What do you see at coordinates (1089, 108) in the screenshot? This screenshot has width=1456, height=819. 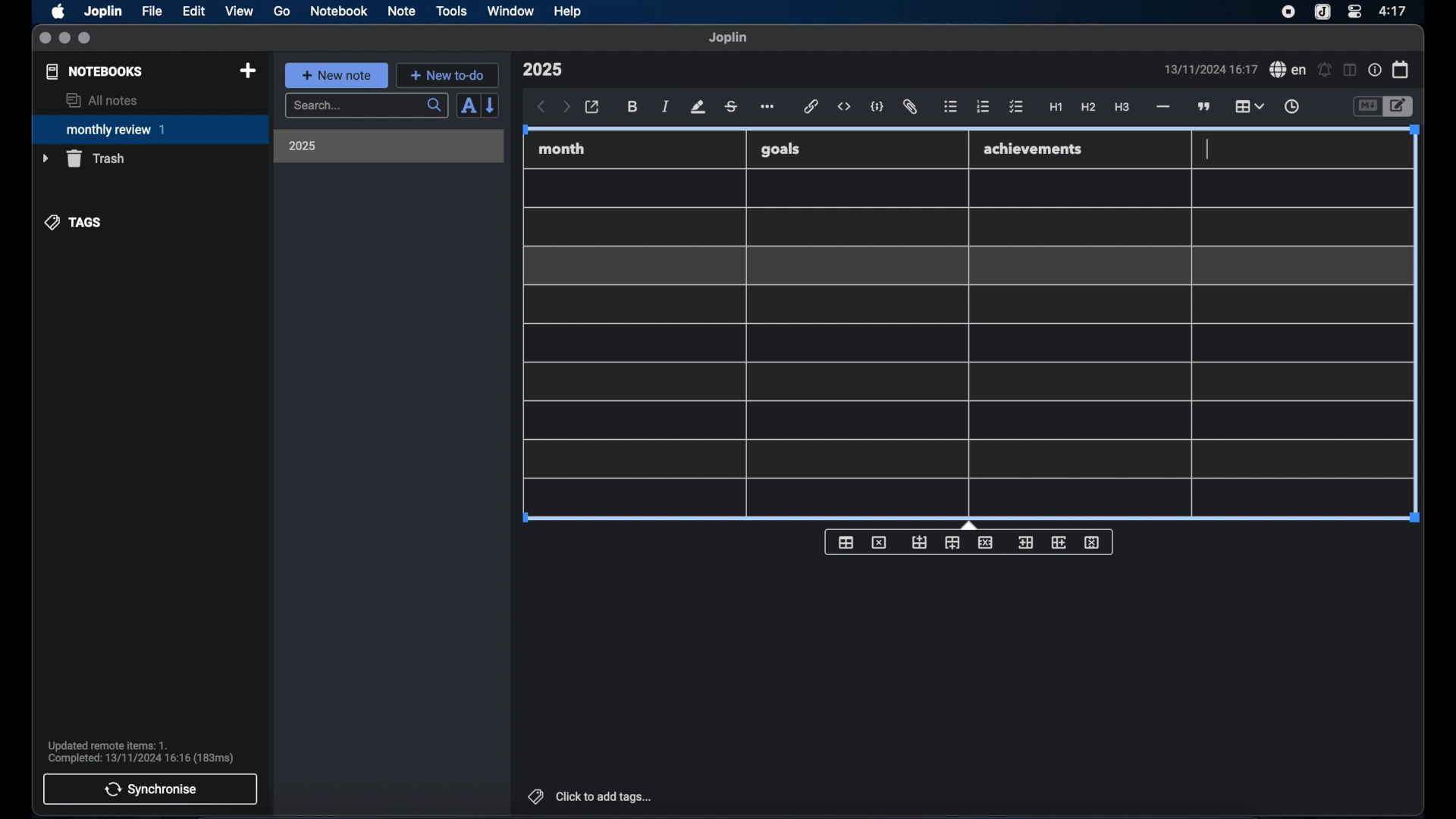 I see `heading 2` at bounding box center [1089, 108].